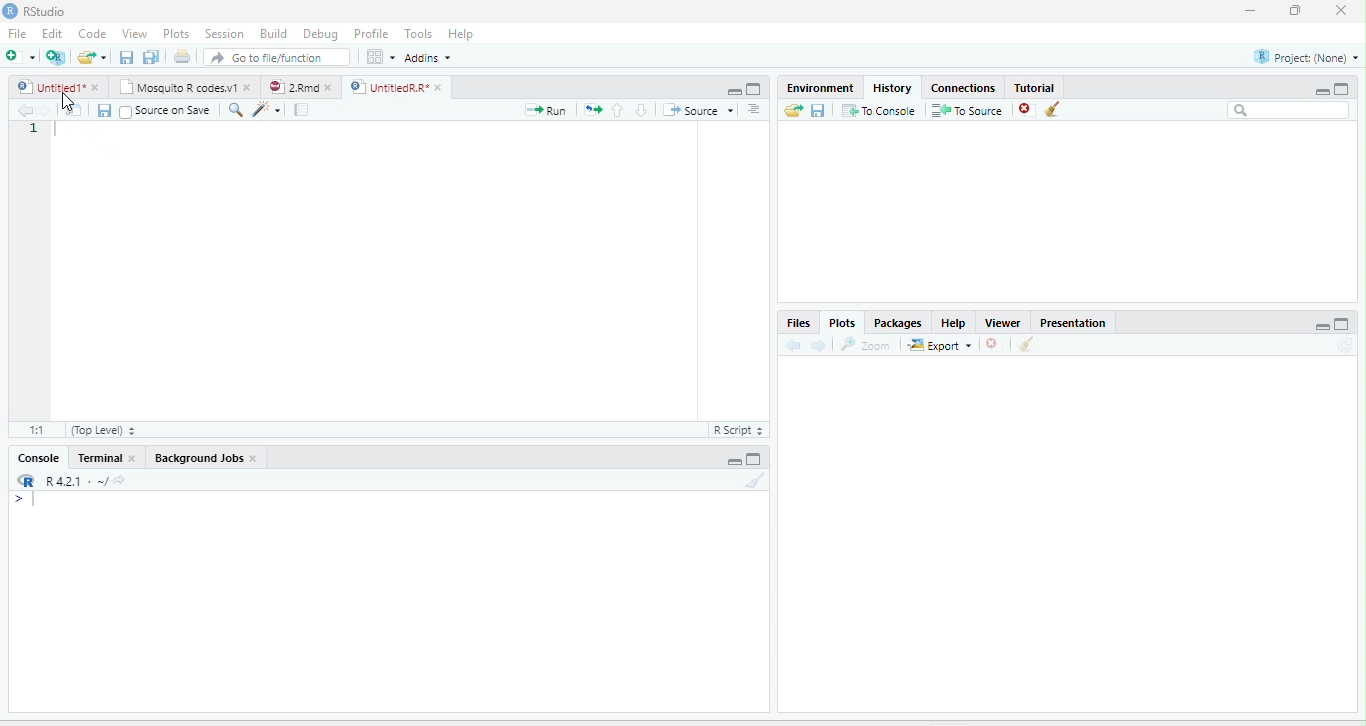 The width and height of the screenshot is (1366, 726). What do you see at coordinates (897, 322) in the screenshot?
I see `Packages` at bounding box center [897, 322].